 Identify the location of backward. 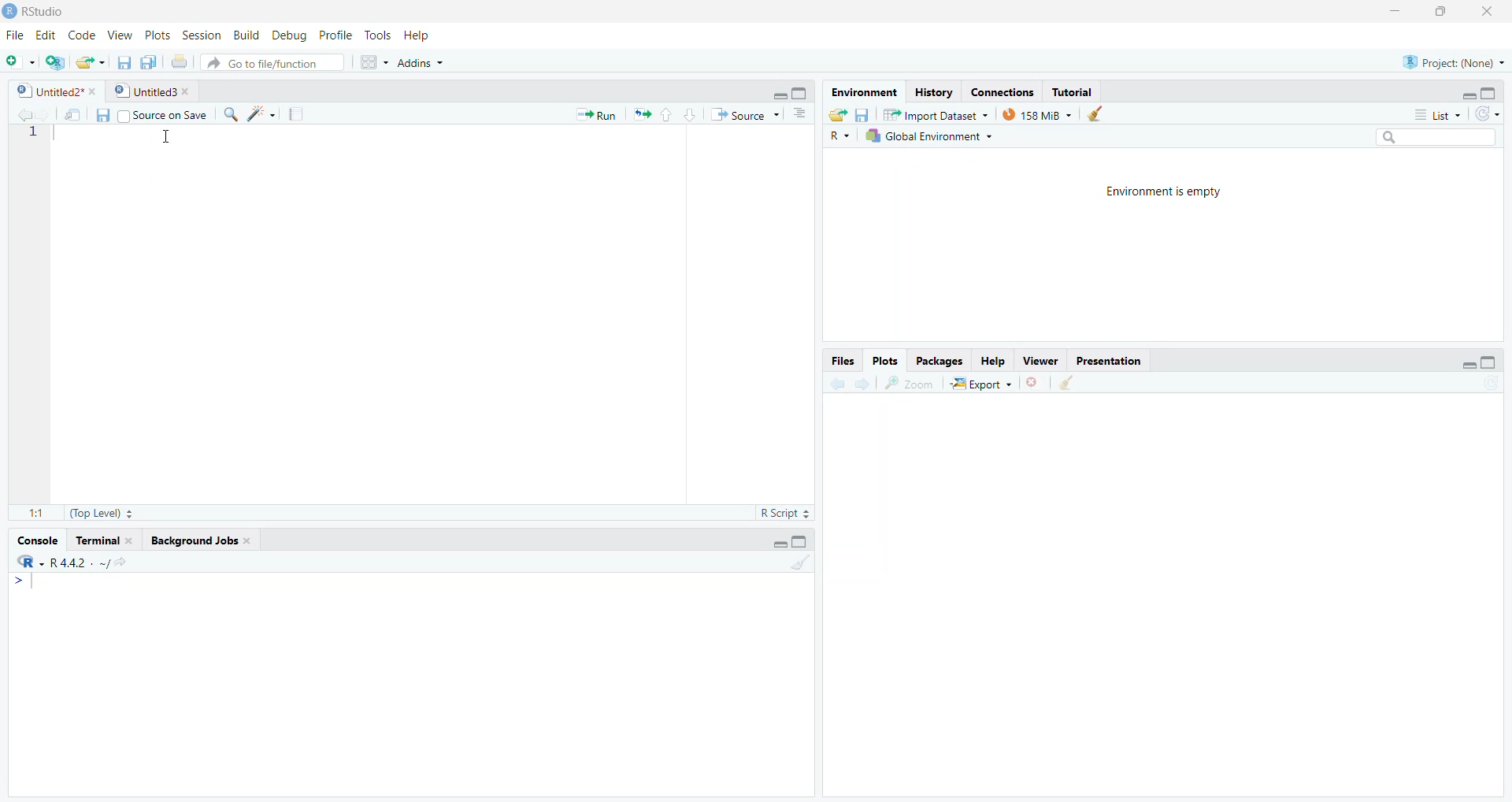
(829, 383).